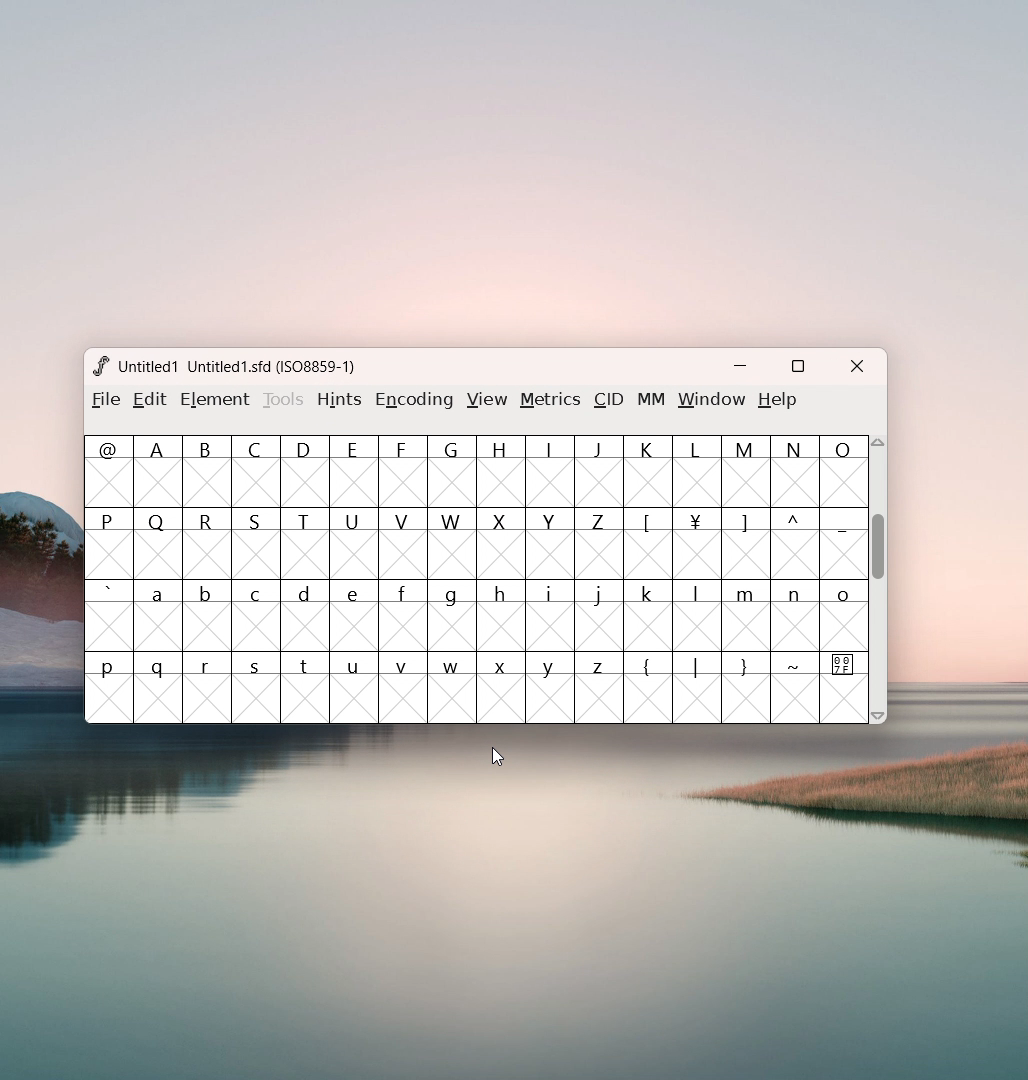 Image resolution: width=1028 pixels, height=1080 pixels. I want to click on ~, so click(796, 689).